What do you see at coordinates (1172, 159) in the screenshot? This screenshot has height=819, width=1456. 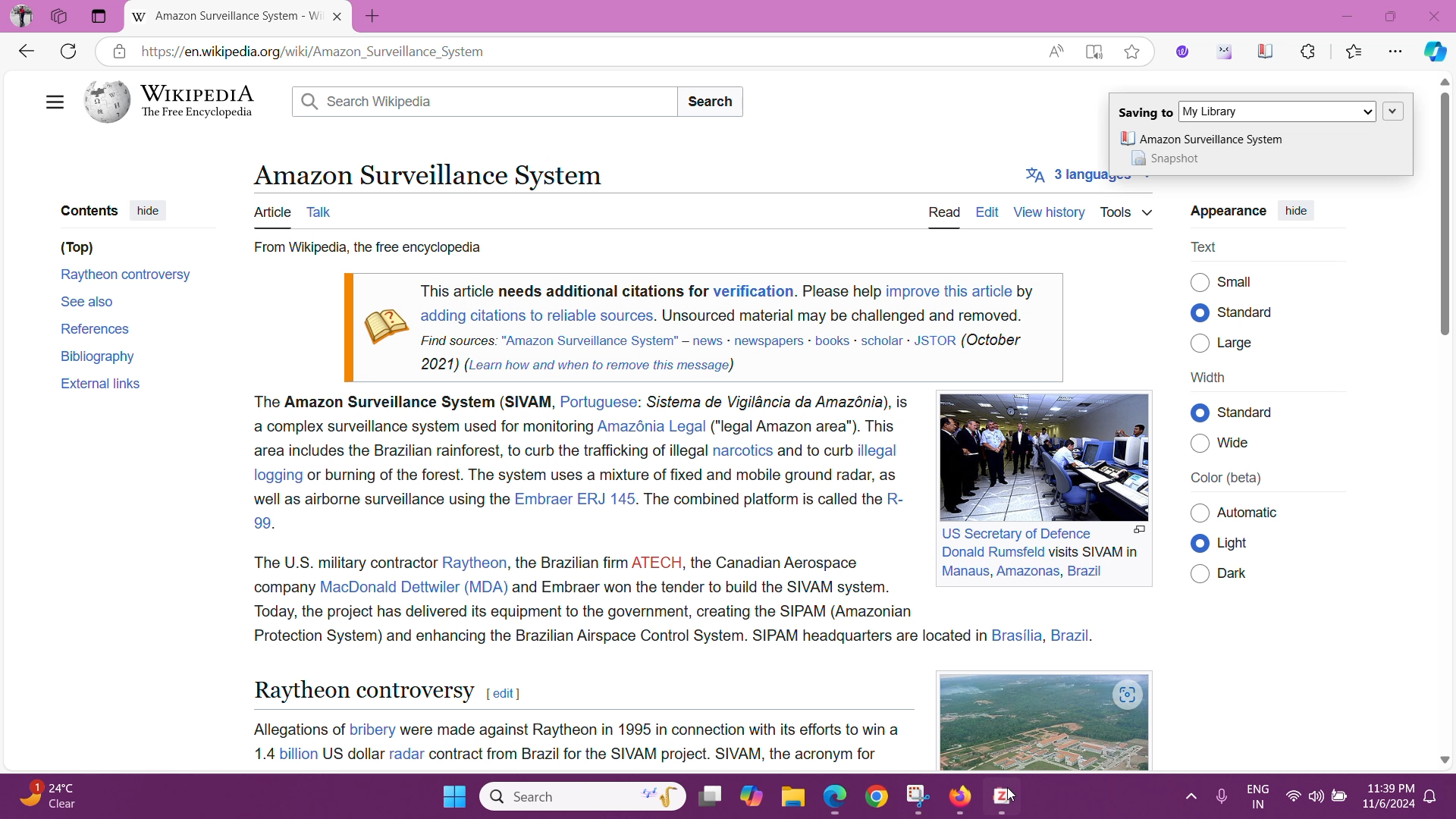 I see `Snapshot` at bounding box center [1172, 159].